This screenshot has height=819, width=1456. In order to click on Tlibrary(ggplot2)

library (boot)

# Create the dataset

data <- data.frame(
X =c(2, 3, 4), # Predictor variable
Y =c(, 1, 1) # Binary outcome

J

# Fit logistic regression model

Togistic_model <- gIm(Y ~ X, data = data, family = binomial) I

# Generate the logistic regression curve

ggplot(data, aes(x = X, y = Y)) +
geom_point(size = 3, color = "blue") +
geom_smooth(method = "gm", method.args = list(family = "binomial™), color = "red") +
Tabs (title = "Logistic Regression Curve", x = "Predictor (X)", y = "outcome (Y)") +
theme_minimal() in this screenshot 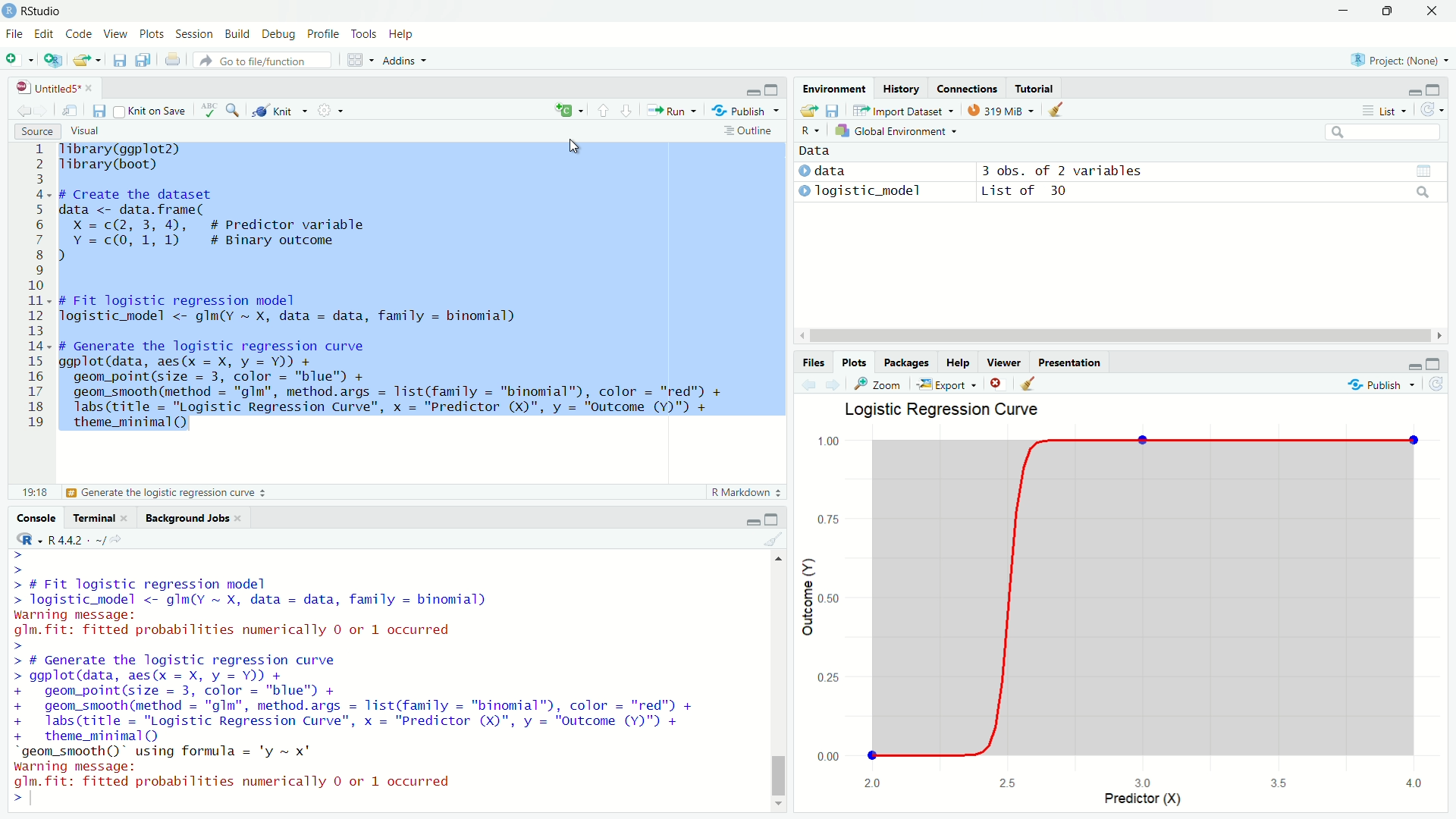, I will do `click(393, 293)`.